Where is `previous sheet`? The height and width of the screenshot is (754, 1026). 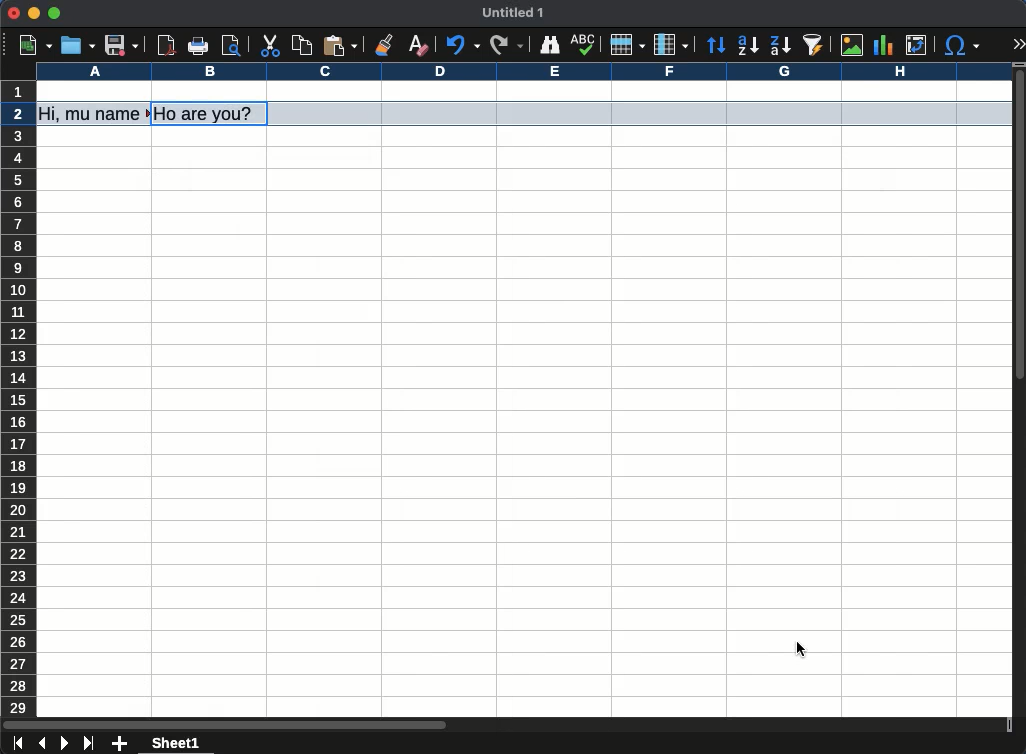
previous sheet is located at coordinates (44, 744).